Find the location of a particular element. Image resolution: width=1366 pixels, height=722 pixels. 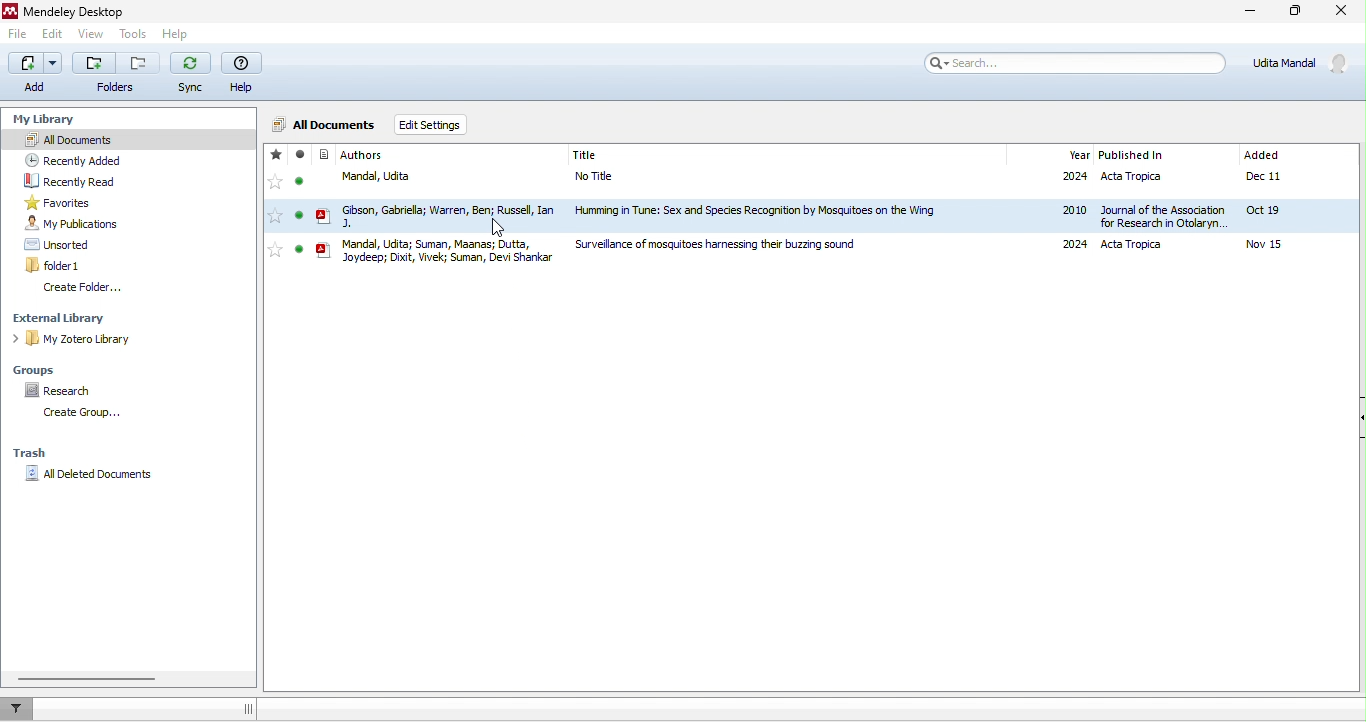

file is located at coordinates (847, 250).